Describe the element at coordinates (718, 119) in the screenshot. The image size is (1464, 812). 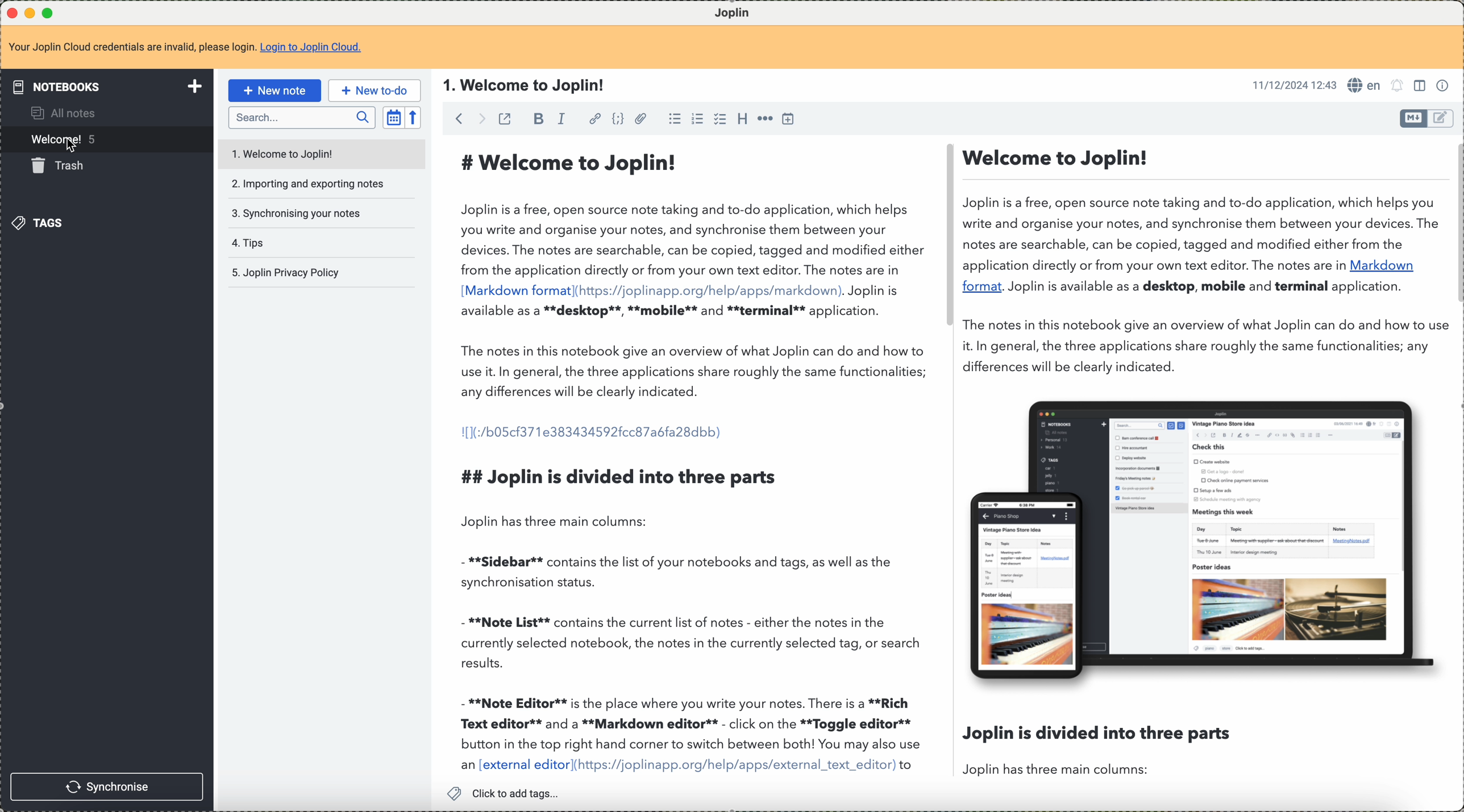
I see `checkbox` at that location.